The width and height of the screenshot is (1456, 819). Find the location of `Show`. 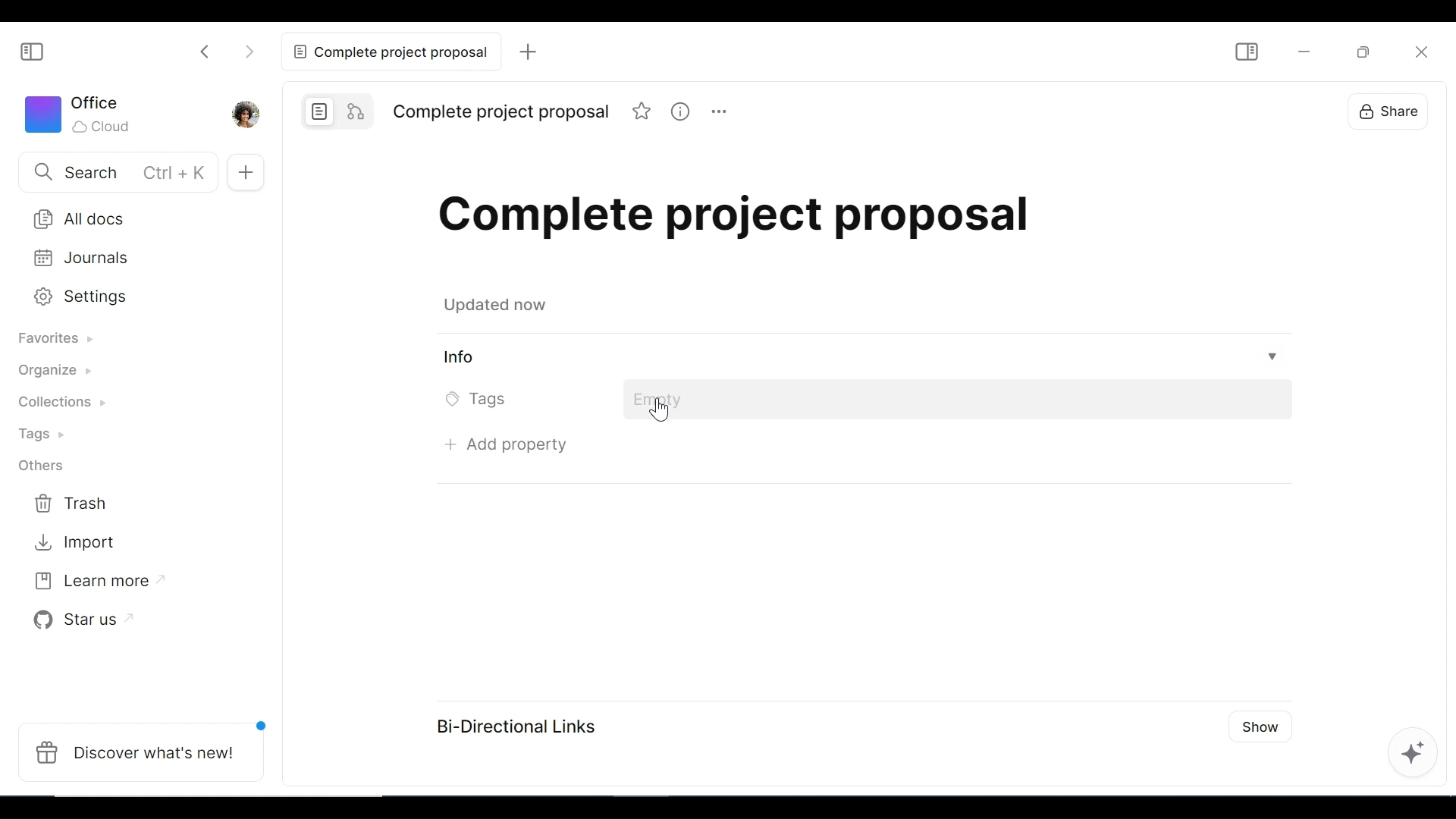

Show is located at coordinates (1261, 728).